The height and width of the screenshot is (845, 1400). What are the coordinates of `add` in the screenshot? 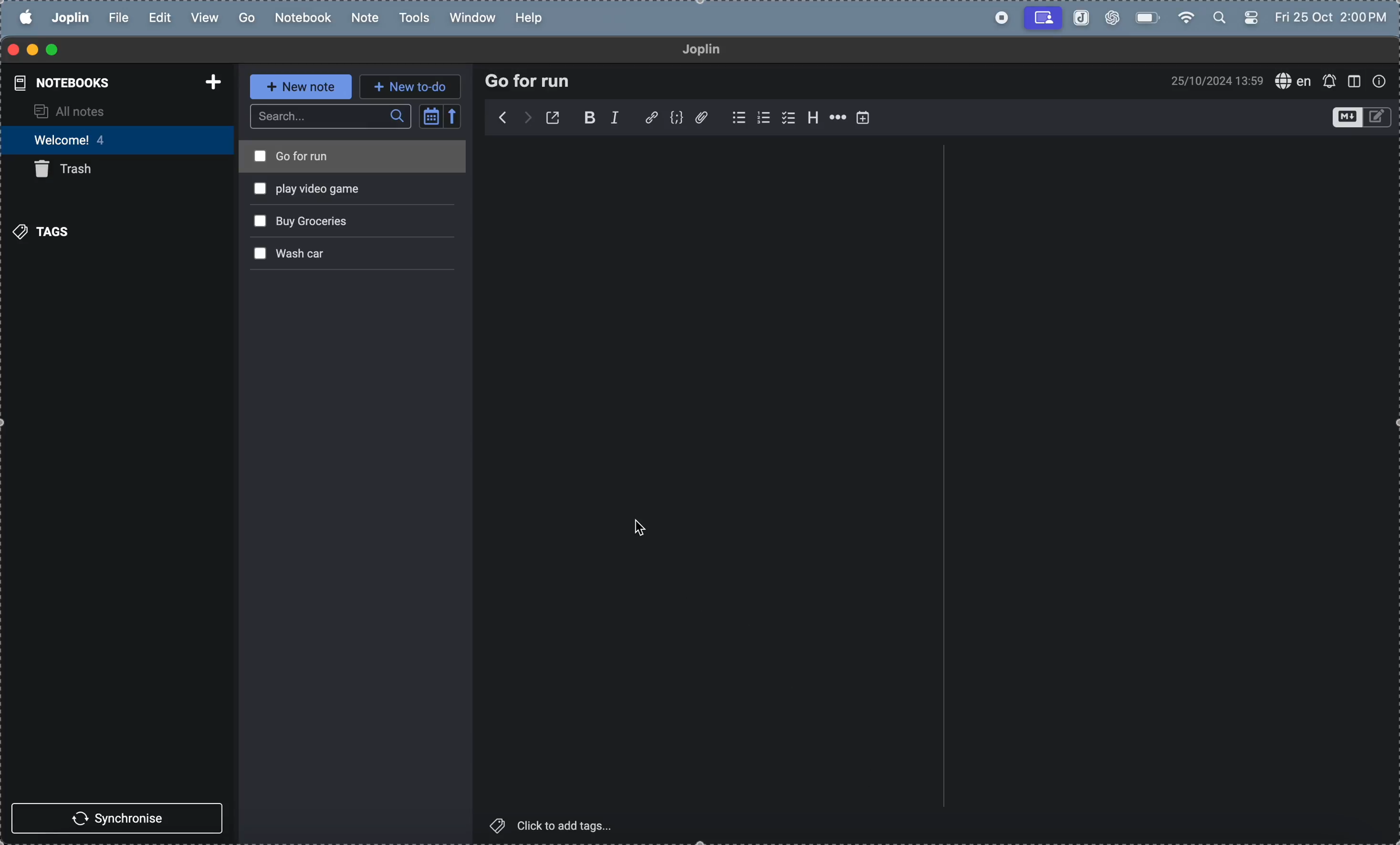 It's located at (207, 81).